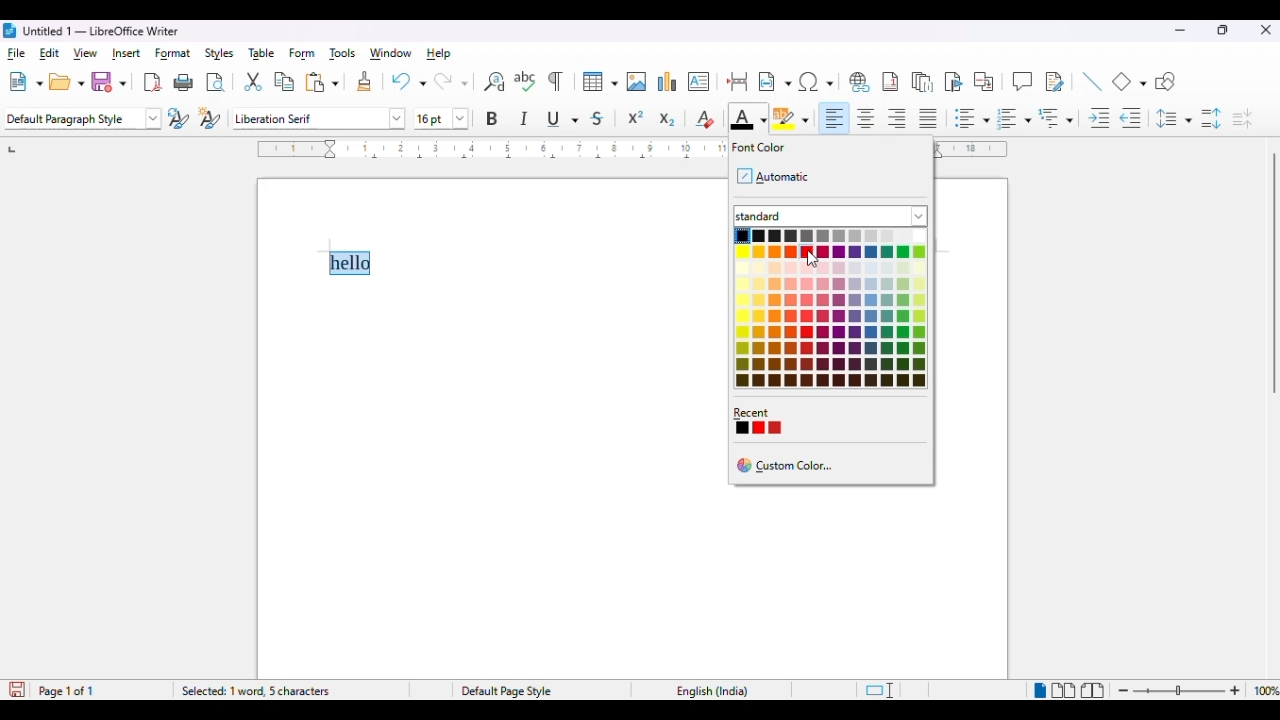 The height and width of the screenshot is (720, 1280). What do you see at coordinates (866, 119) in the screenshot?
I see `align center` at bounding box center [866, 119].